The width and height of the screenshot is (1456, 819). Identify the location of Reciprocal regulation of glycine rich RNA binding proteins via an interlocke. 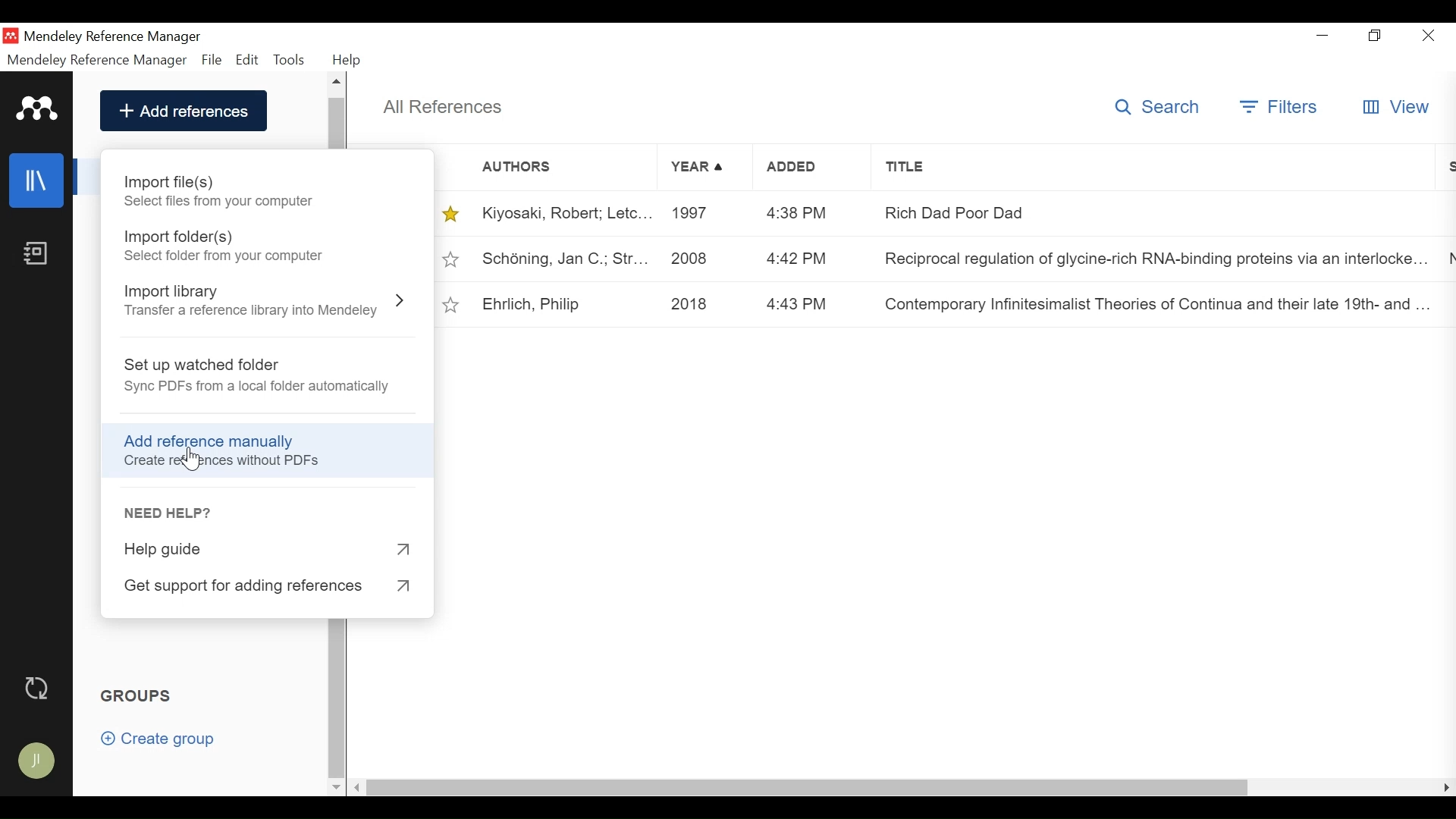
(1150, 262).